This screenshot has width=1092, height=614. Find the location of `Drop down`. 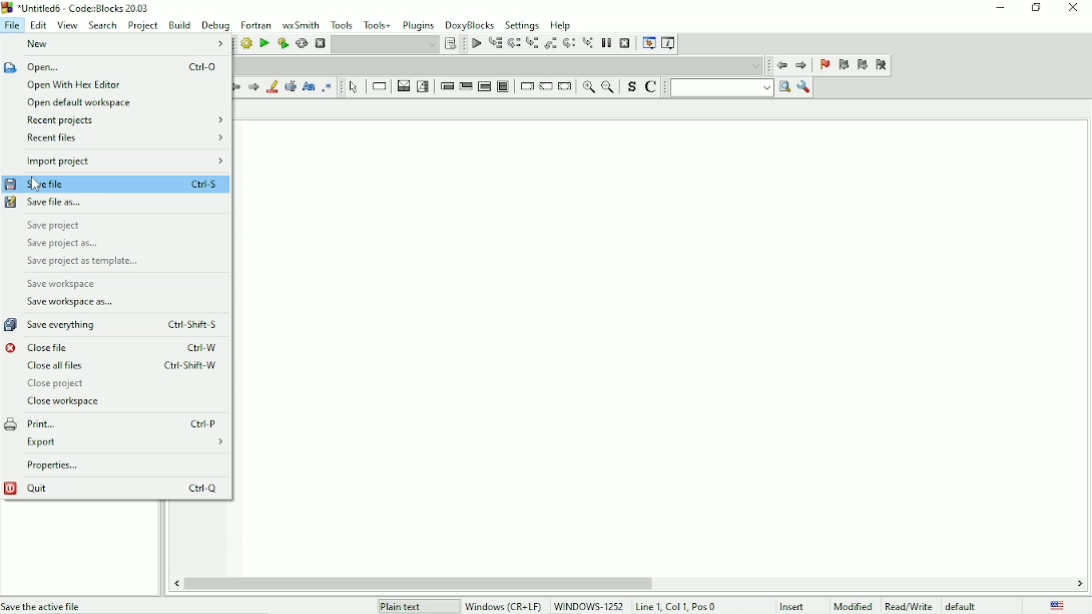

Drop down is located at coordinates (498, 65).